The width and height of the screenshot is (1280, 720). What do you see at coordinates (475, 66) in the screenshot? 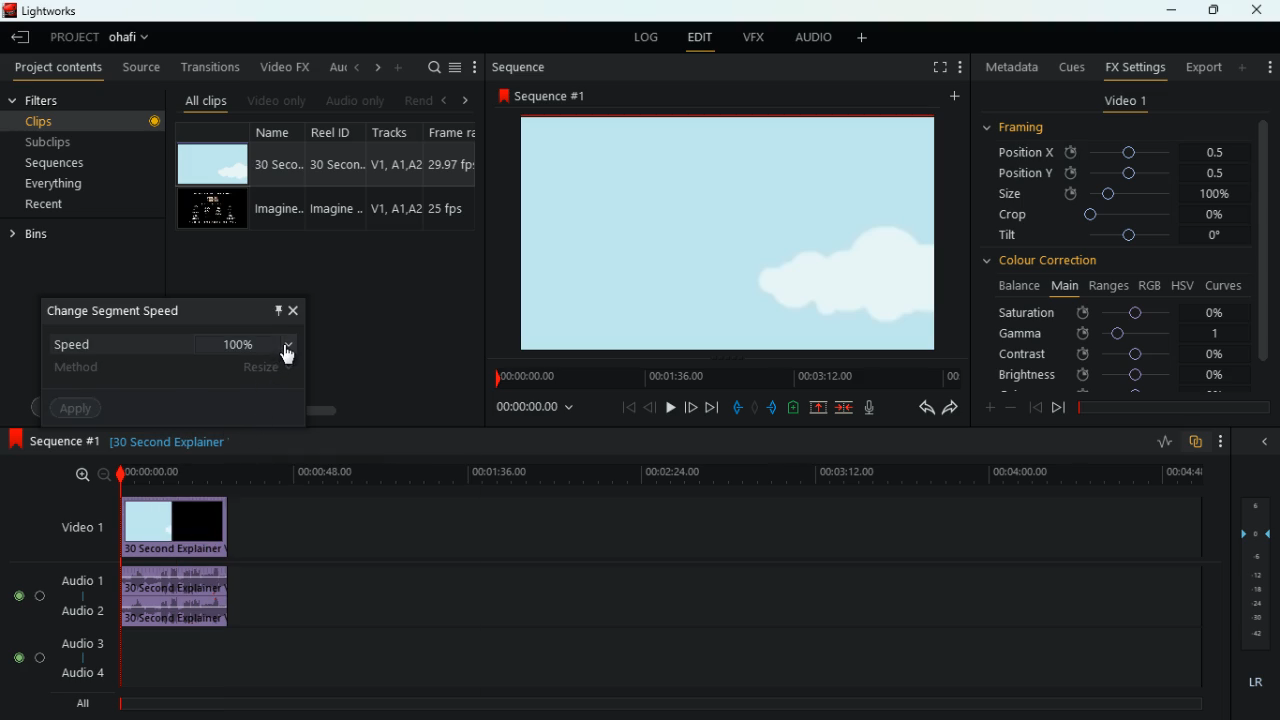
I see `more` at bounding box center [475, 66].